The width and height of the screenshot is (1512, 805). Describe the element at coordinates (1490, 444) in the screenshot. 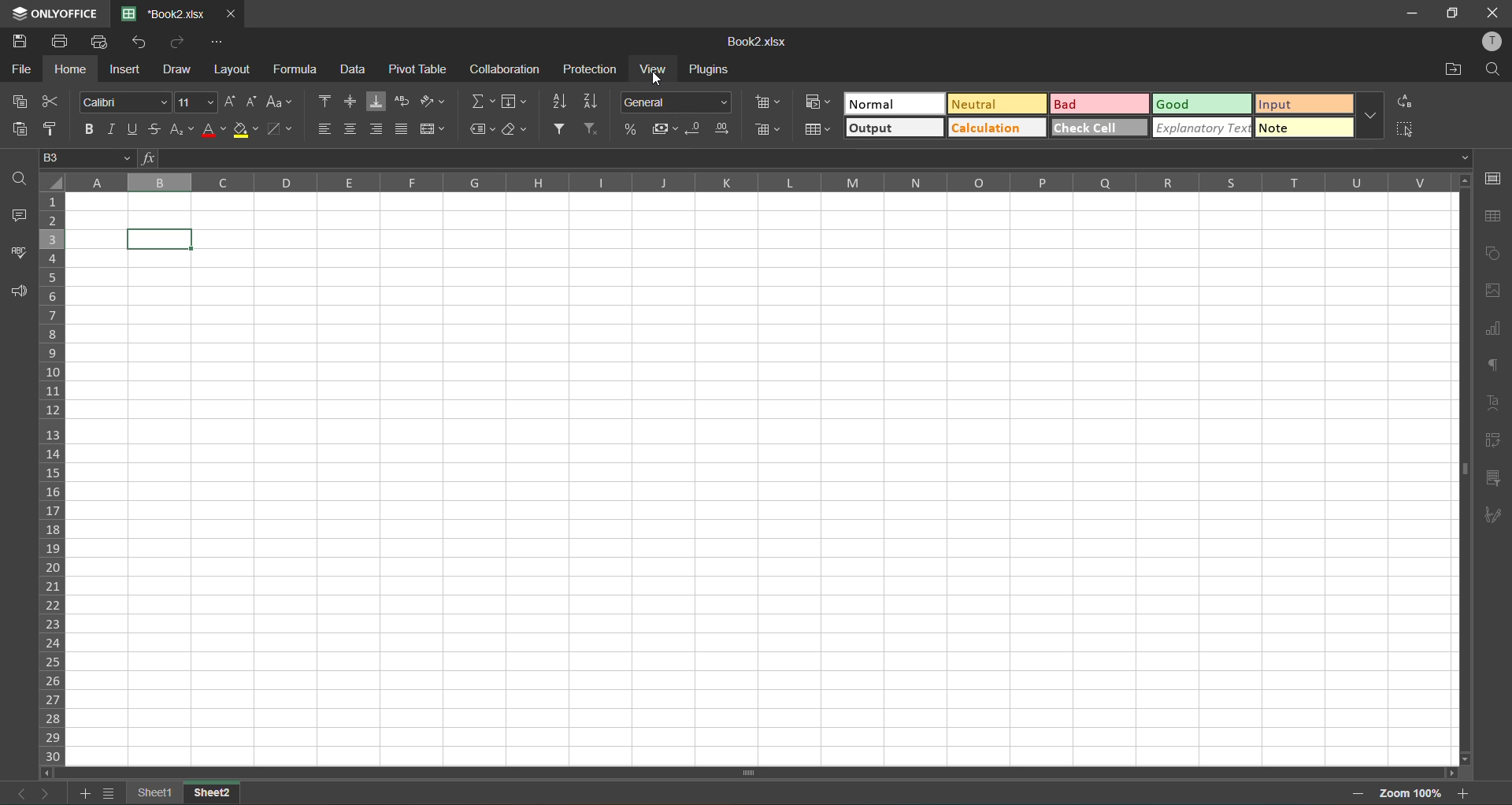

I see `pivot table` at that location.